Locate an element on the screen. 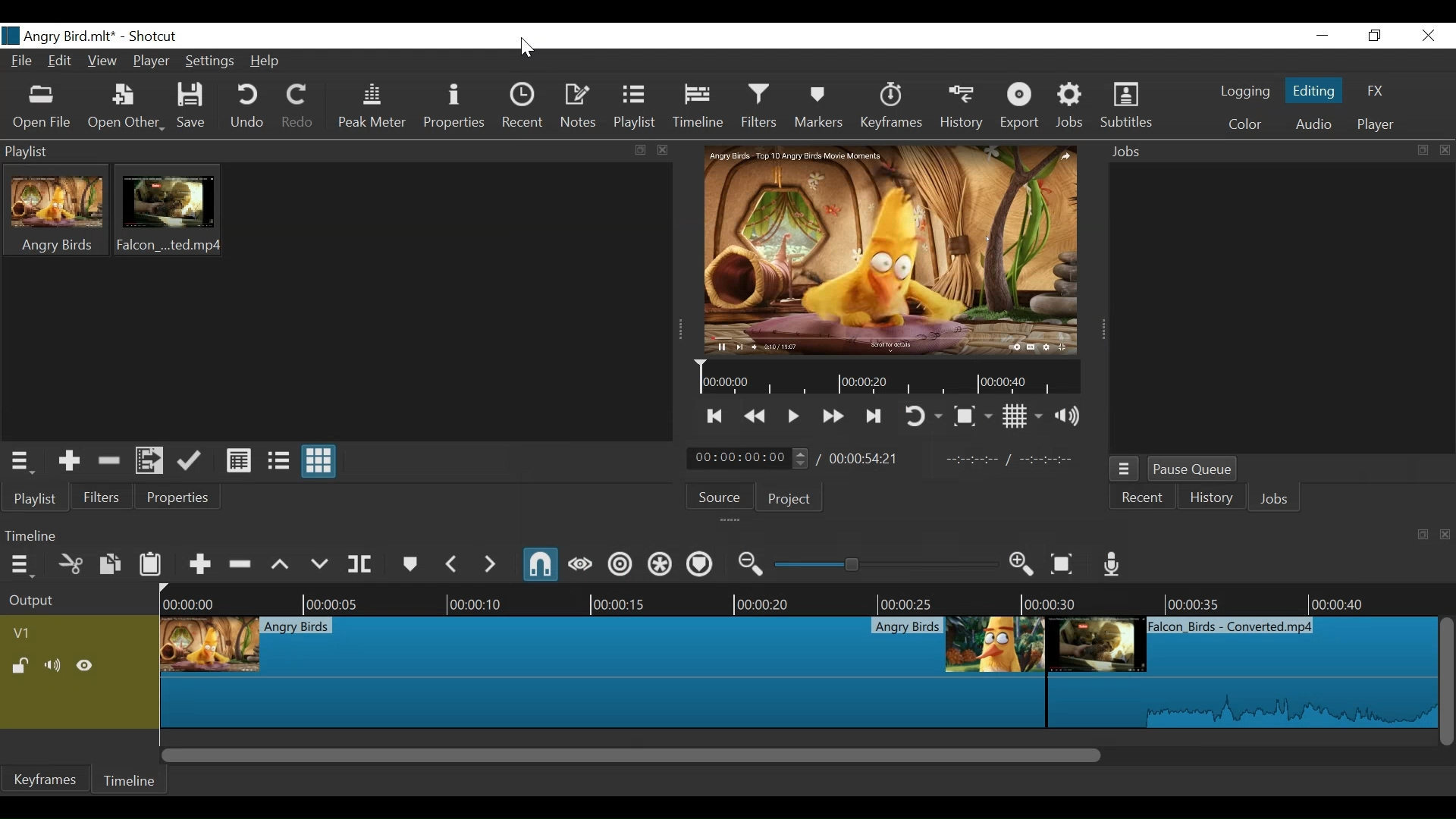 This screenshot has width=1456, height=819. cursor is located at coordinates (526, 49).